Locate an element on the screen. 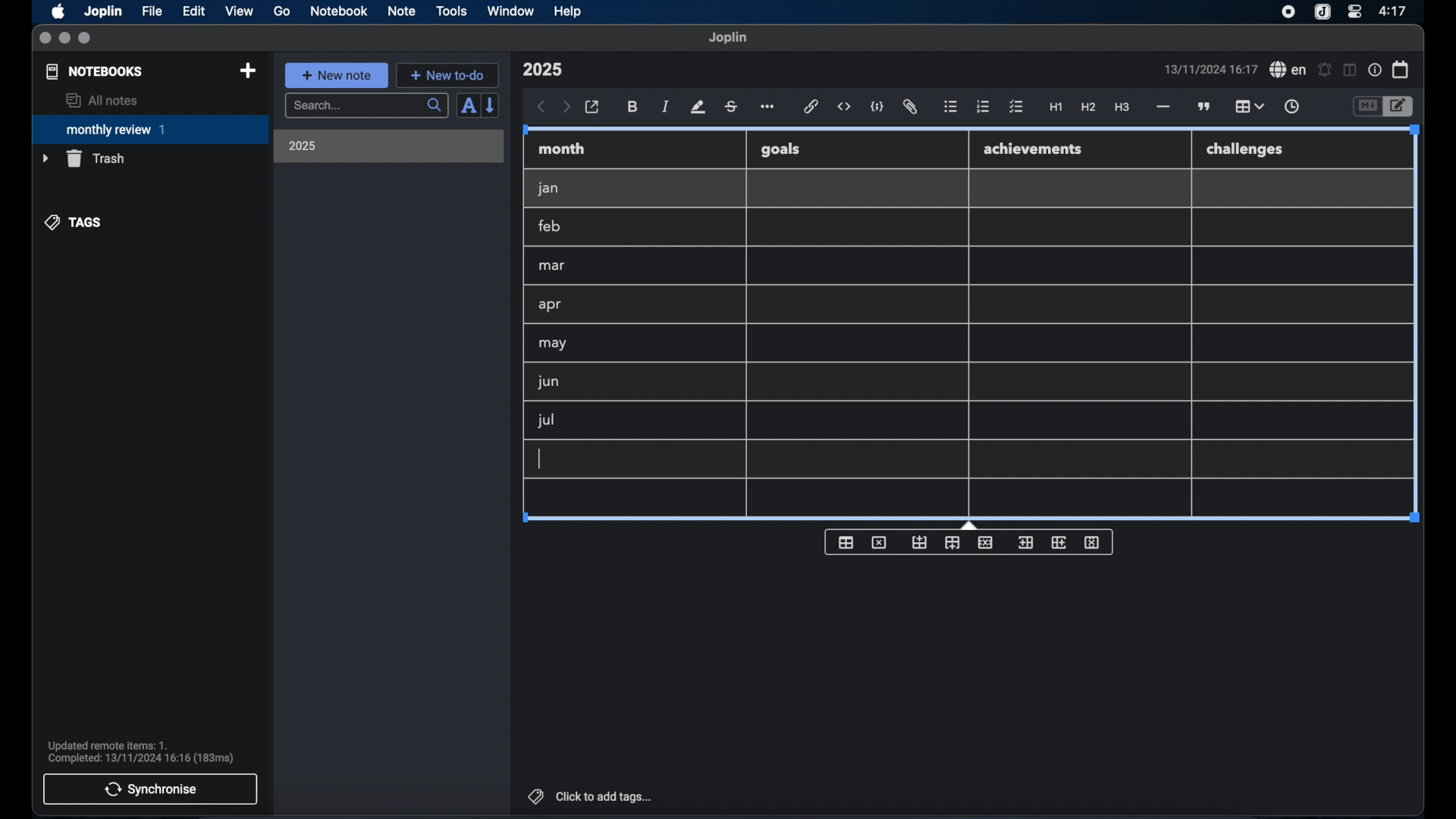 Image resolution: width=1456 pixels, height=819 pixels. close is located at coordinates (45, 39).